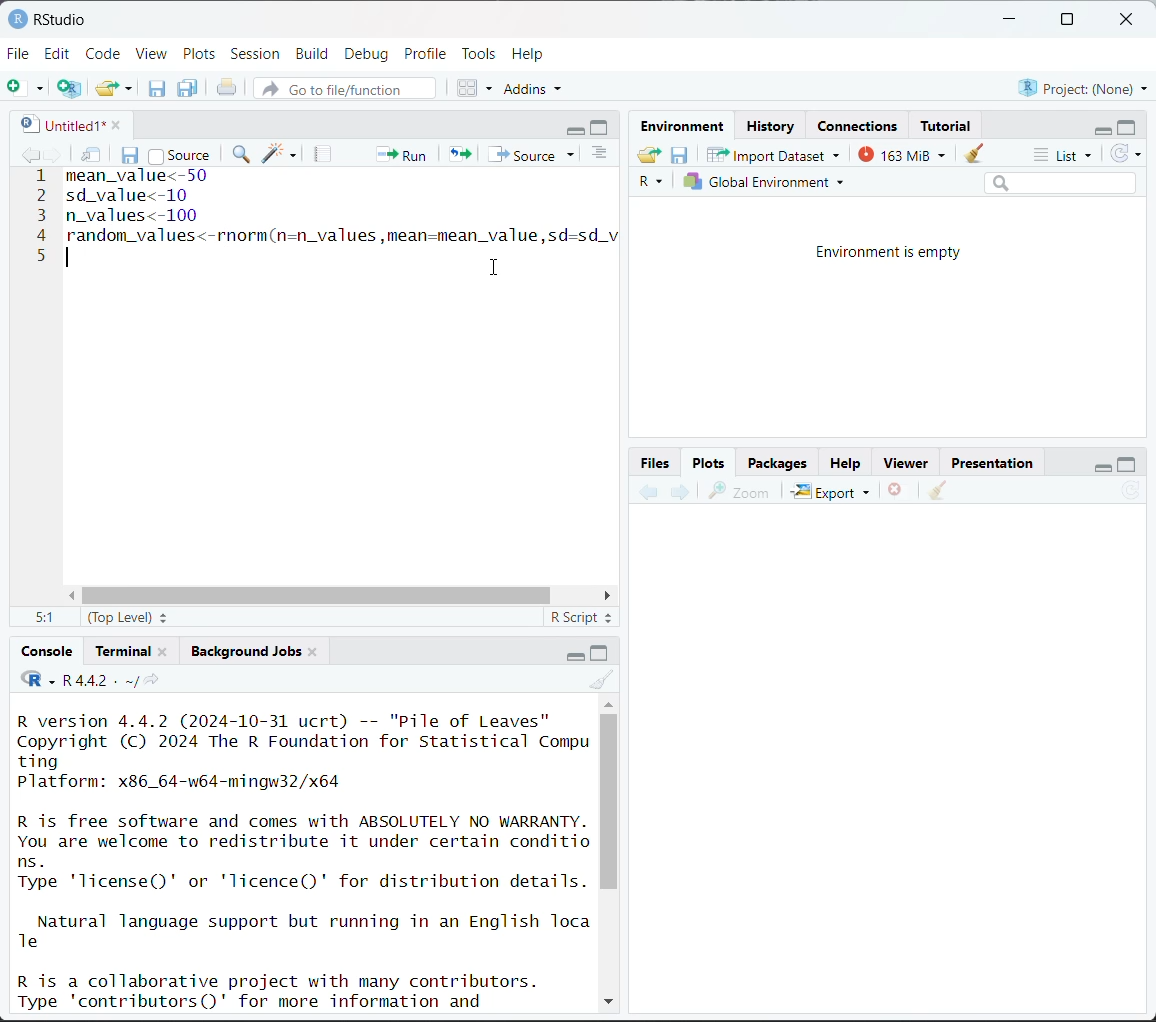 This screenshot has width=1156, height=1022. I want to click on Terminal, so click(125, 648).